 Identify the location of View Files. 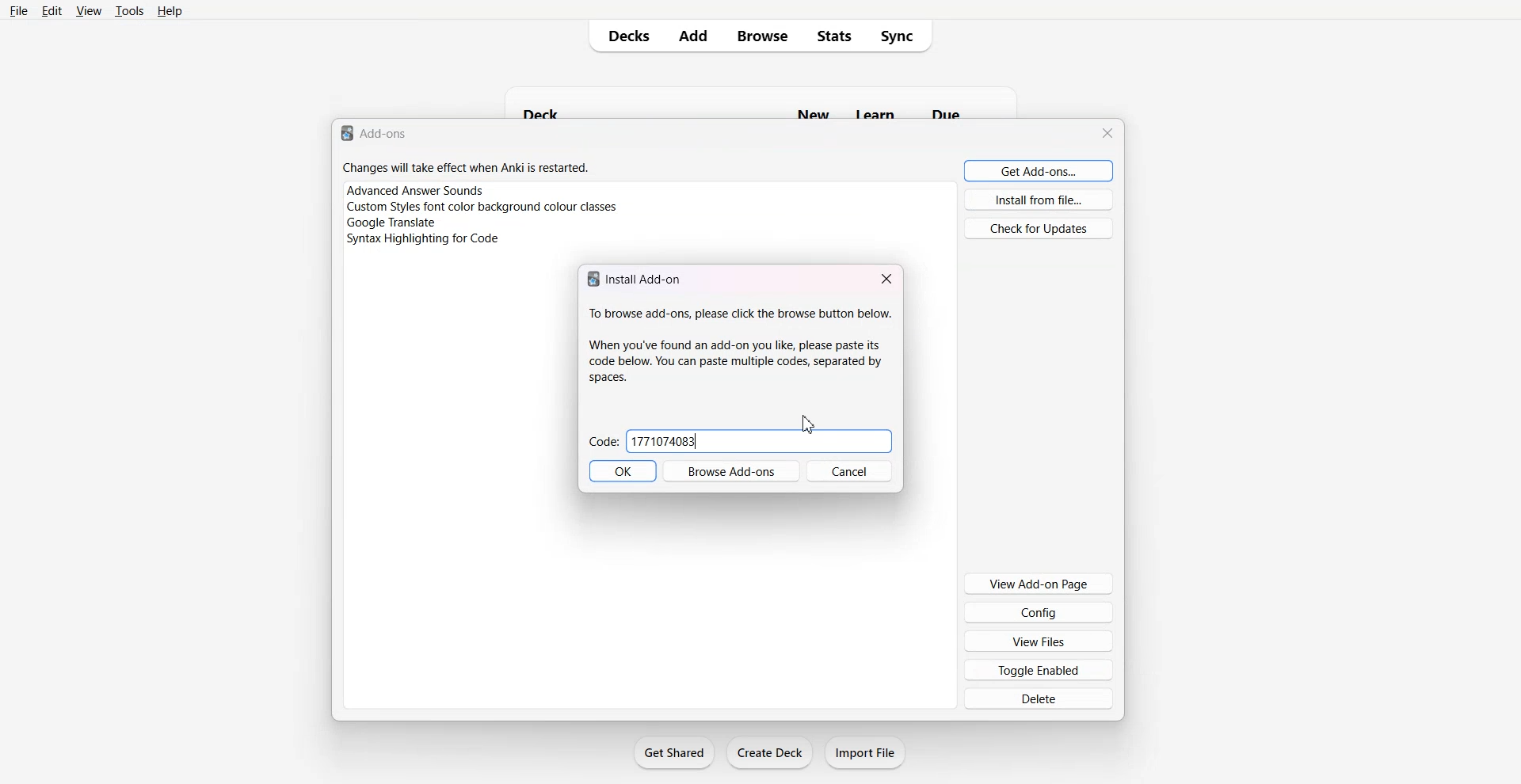
(1039, 640).